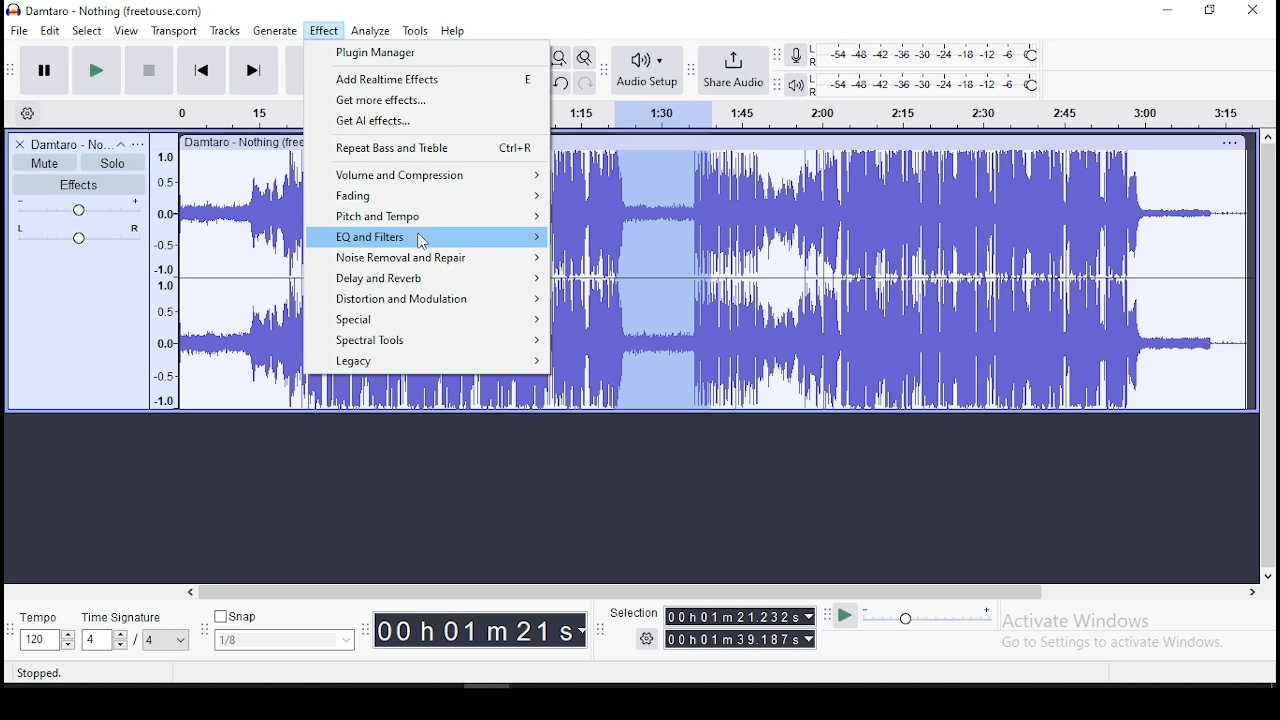 This screenshot has height=720, width=1280. What do you see at coordinates (453, 32) in the screenshot?
I see `help` at bounding box center [453, 32].